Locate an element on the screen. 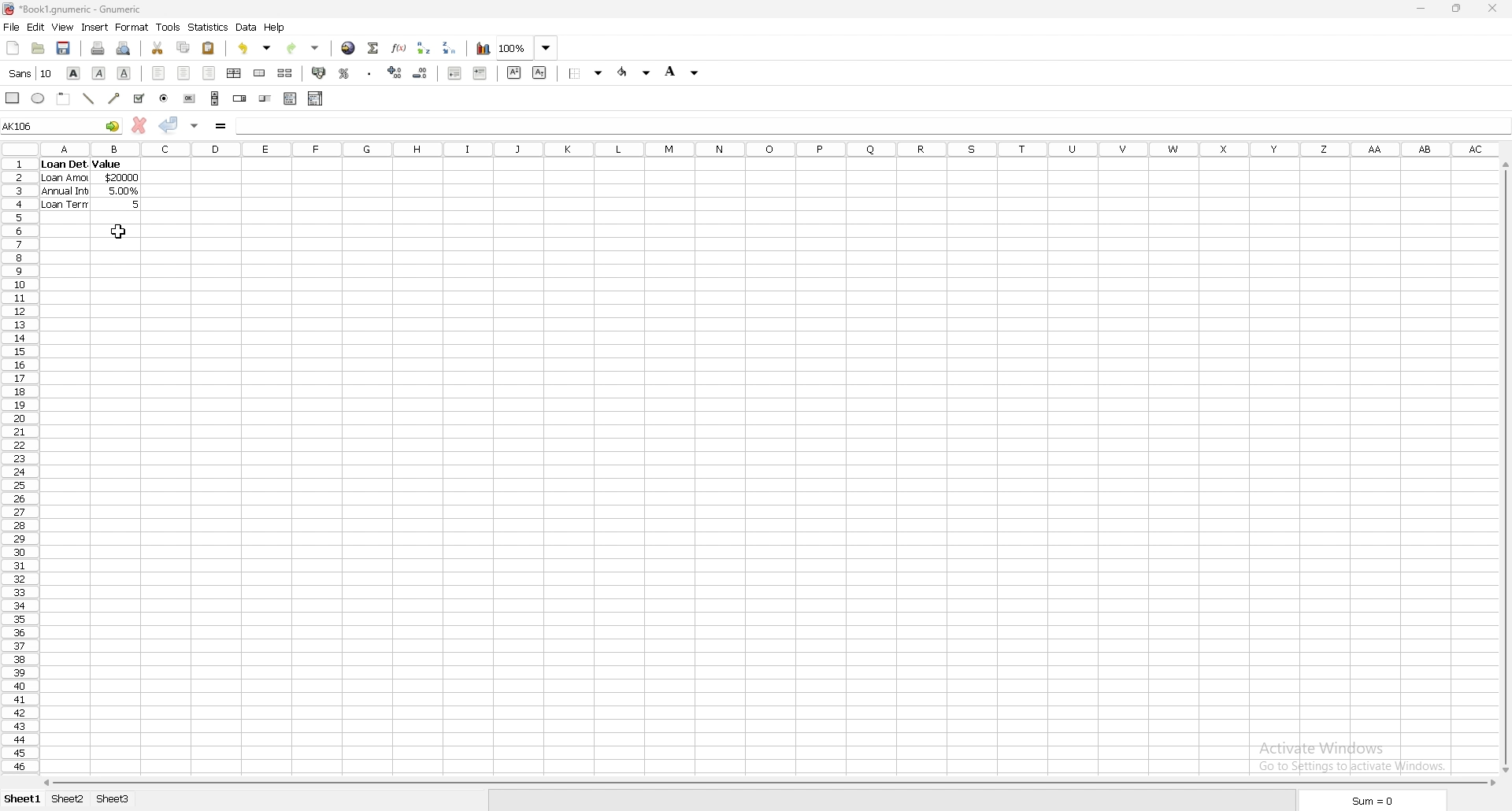 Image resolution: width=1512 pixels, height=811 pixels. undo is located at coordinates (255, 48).